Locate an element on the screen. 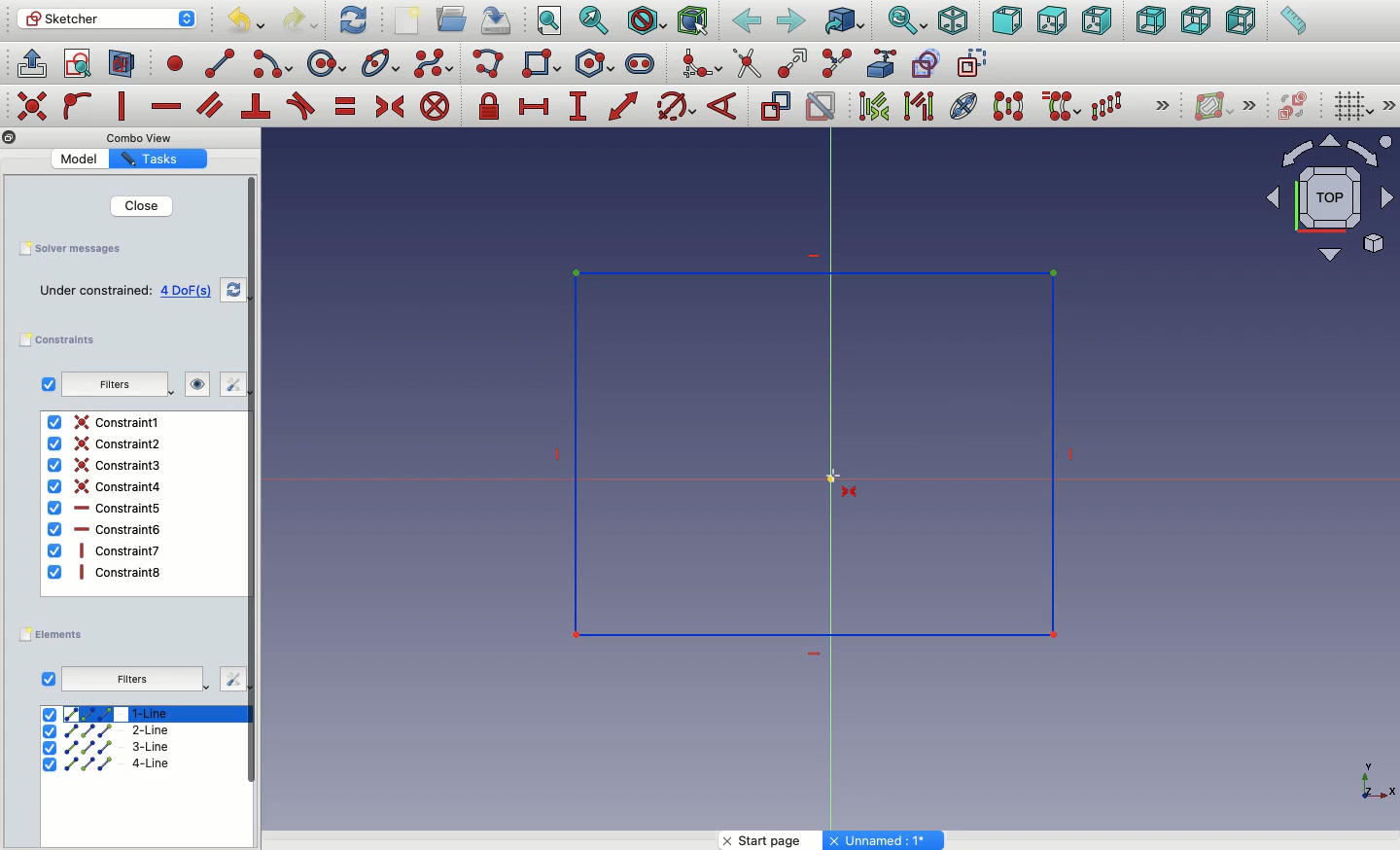 This screenshot has height=850, width=1400. Rectangular array is located at coordinates (1108, 106).